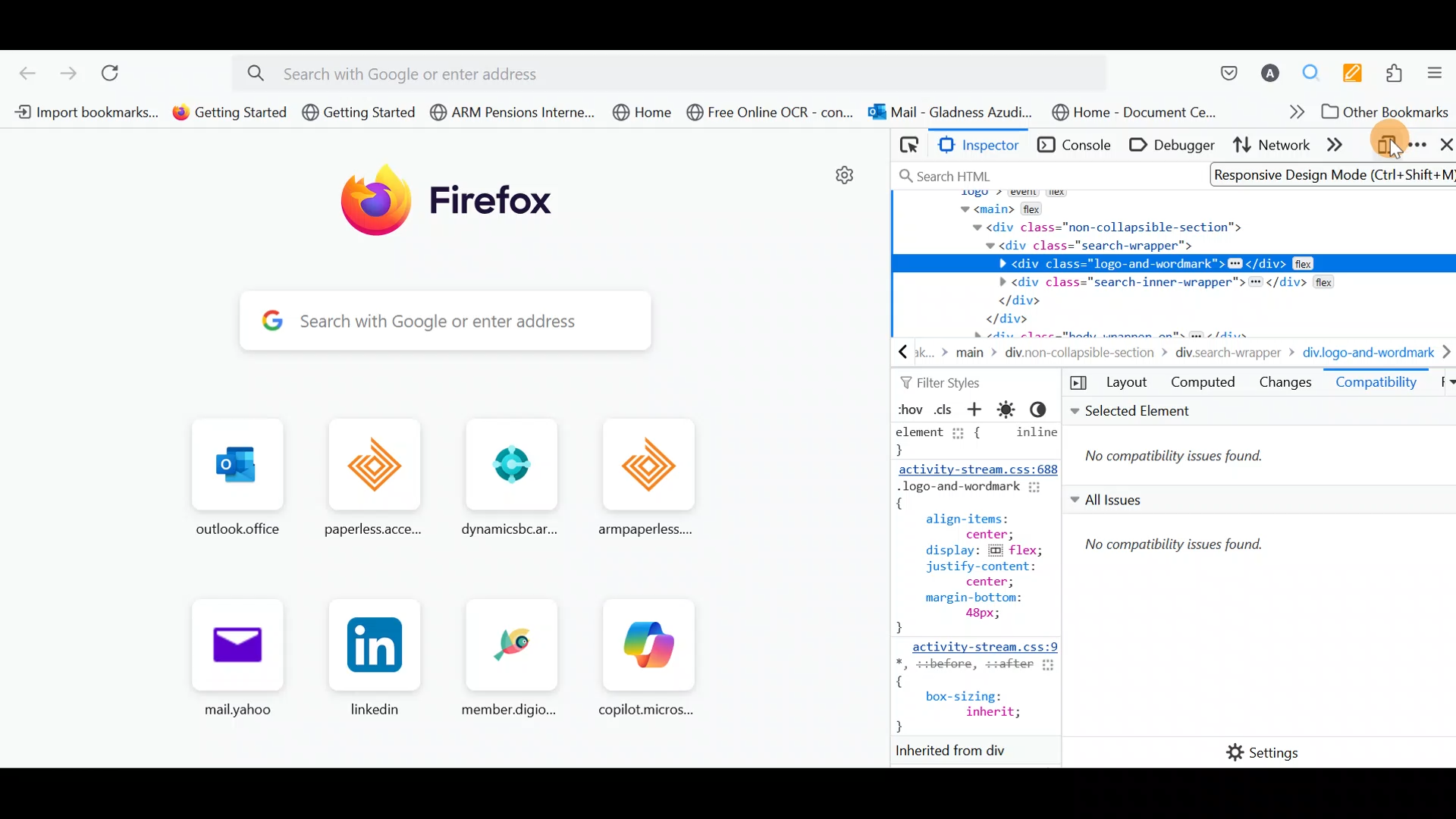 The width and height of the screenshot is (1456, 819). What do you see at coordinates (450, 581) in the screenshot?
I see `Frequently browsed pages` at bounding box center [450, 581].